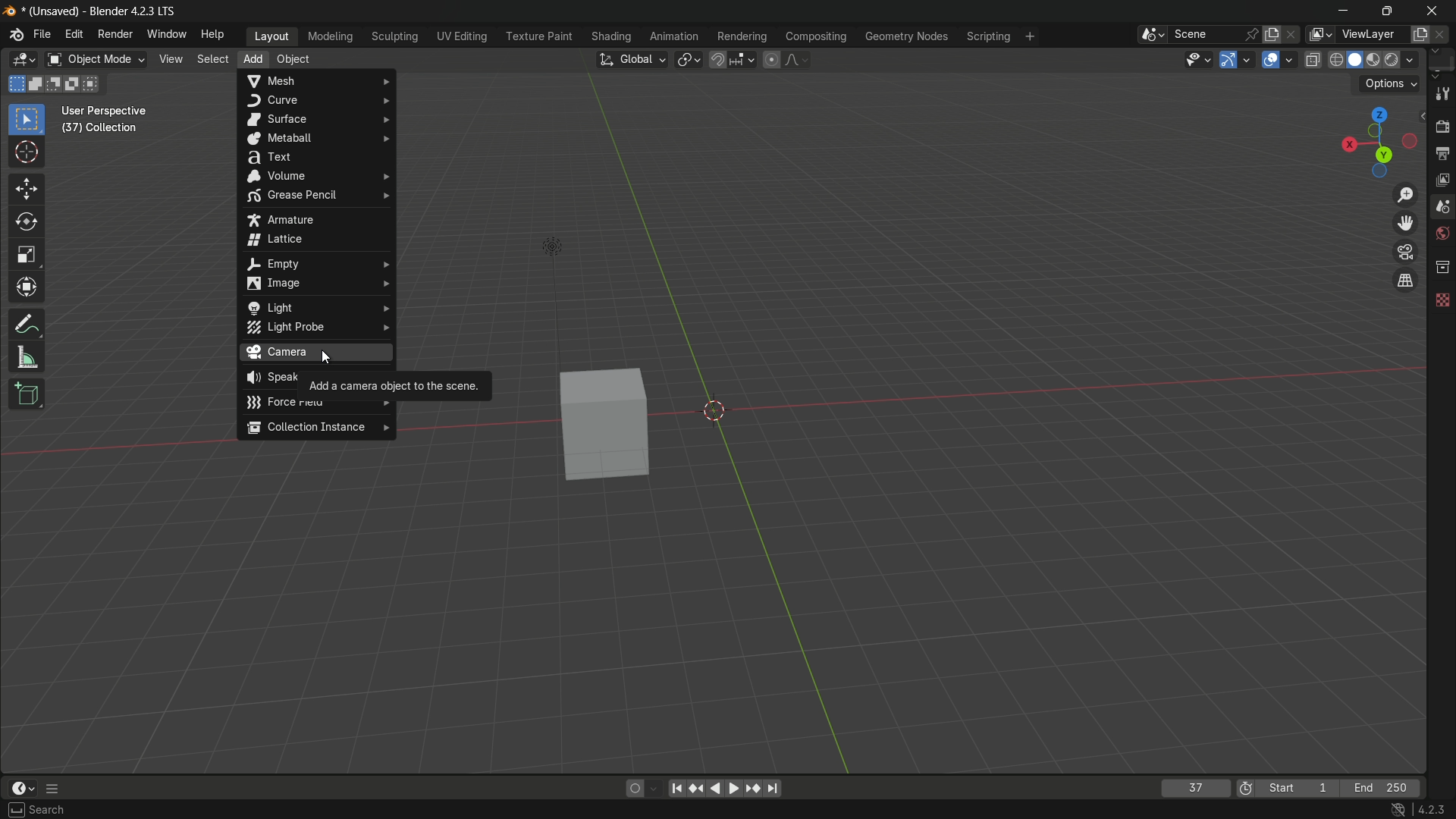 This screenshot has height=819, width=1456. What do you see at coordinates (27, 119) in the screenshot?
I see `select box` at bounding box center [27, 119].